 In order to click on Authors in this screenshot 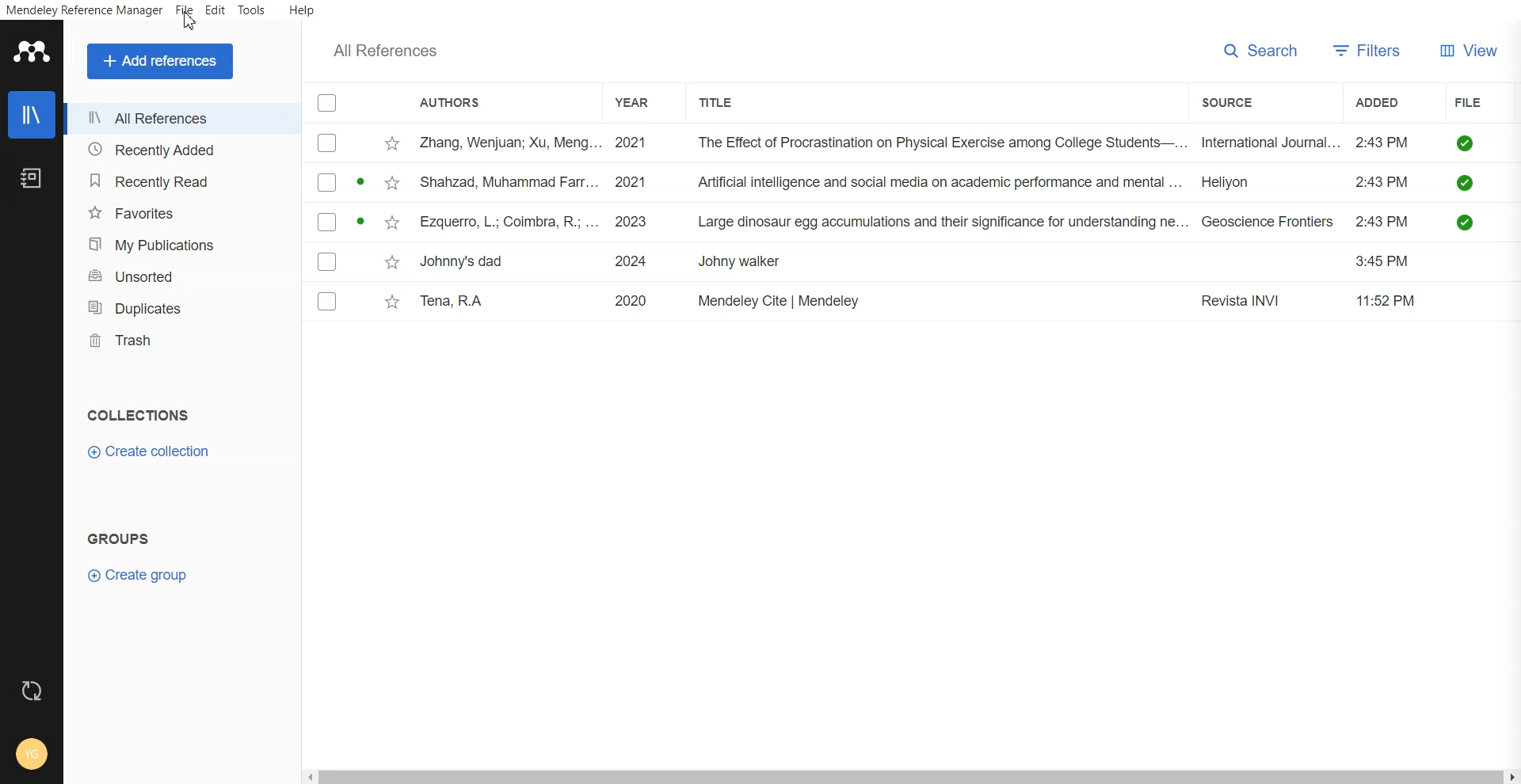, I will do `click(458, 102)`.